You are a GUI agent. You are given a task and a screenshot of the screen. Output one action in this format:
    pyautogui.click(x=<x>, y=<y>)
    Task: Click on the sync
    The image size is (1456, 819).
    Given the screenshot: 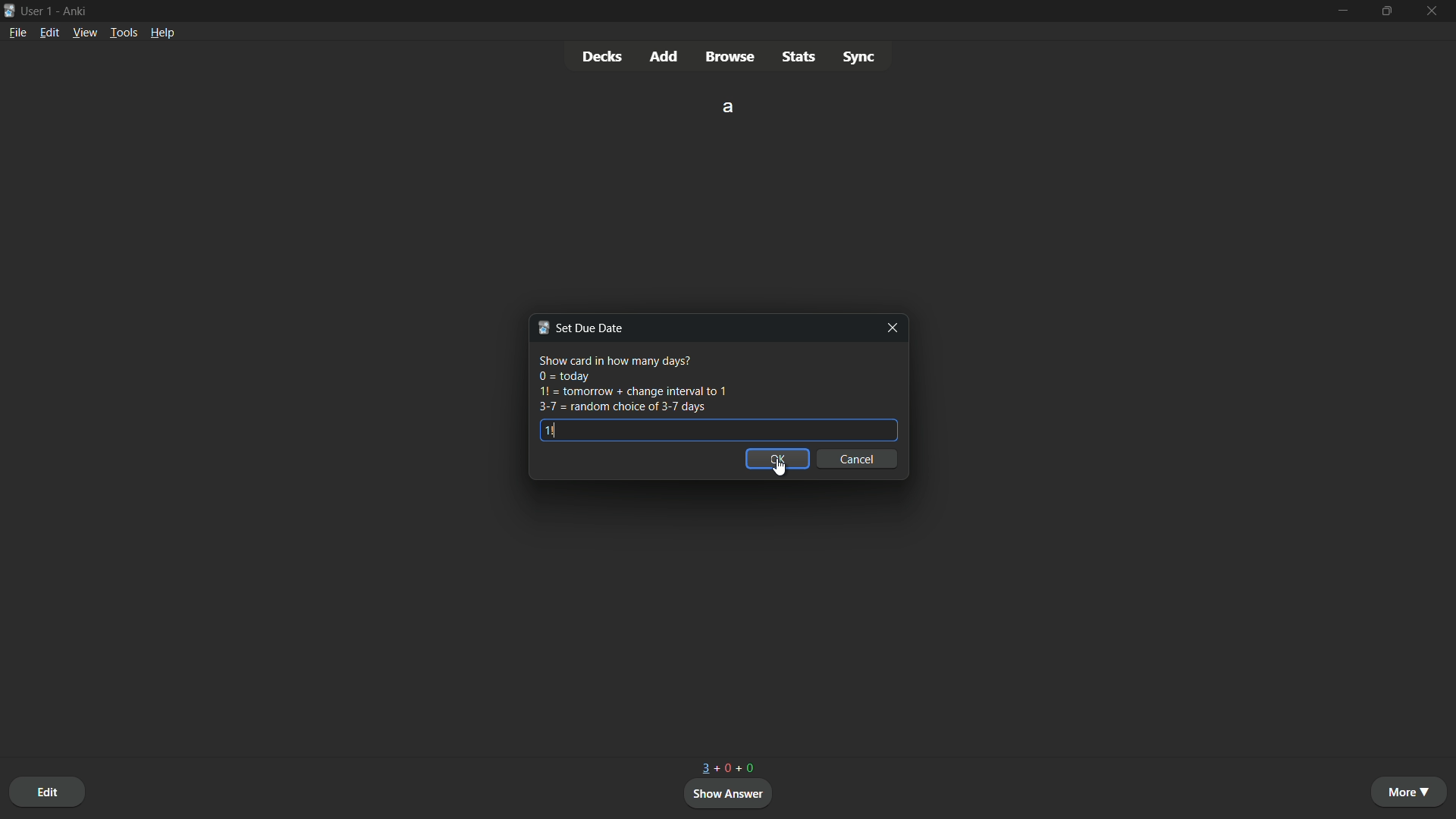 What is the action you would take?
    pyautogui.click(x=859, y=55)
    